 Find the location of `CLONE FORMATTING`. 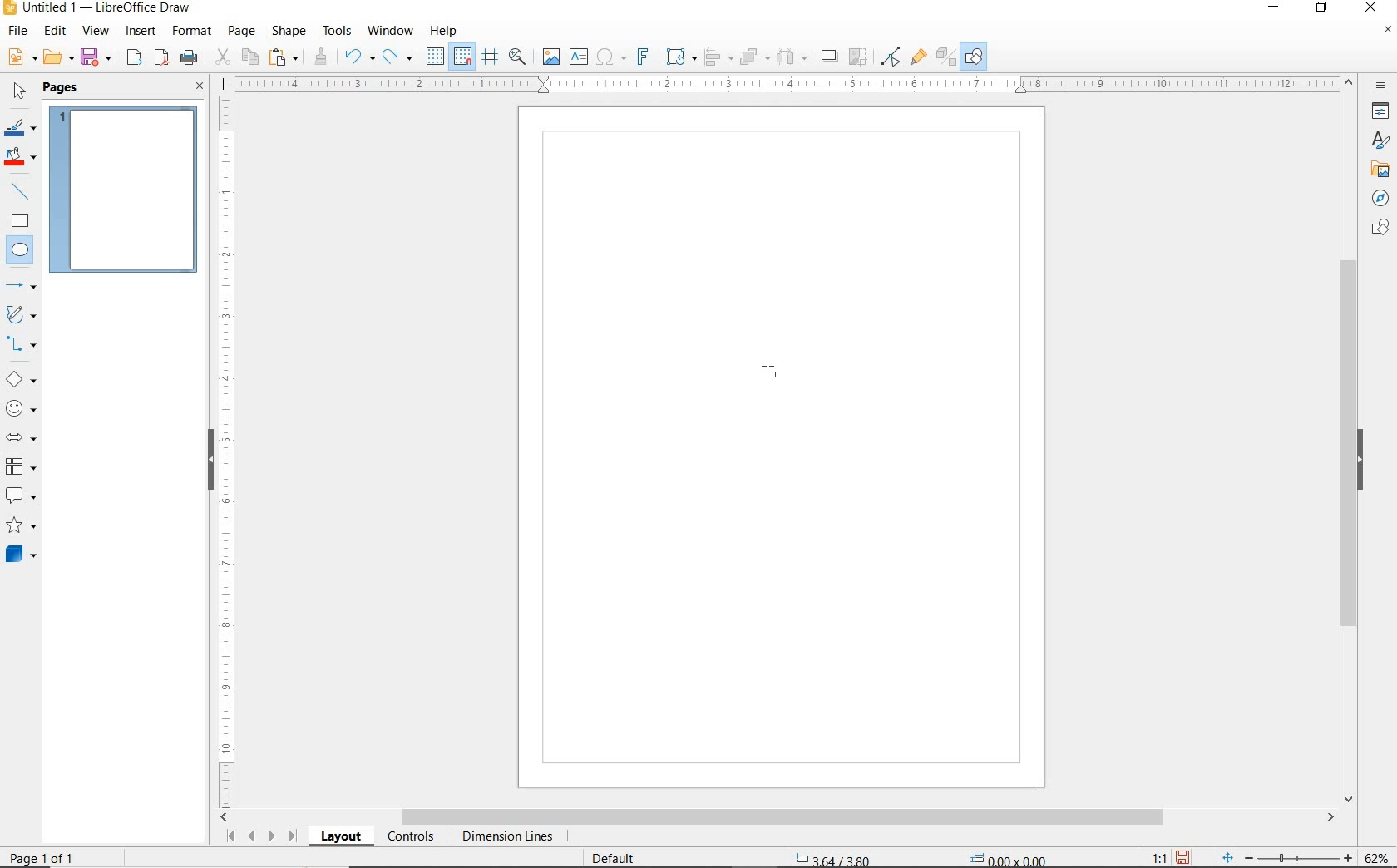

CLONE FORMATTING is located at coordinates (320, 57).